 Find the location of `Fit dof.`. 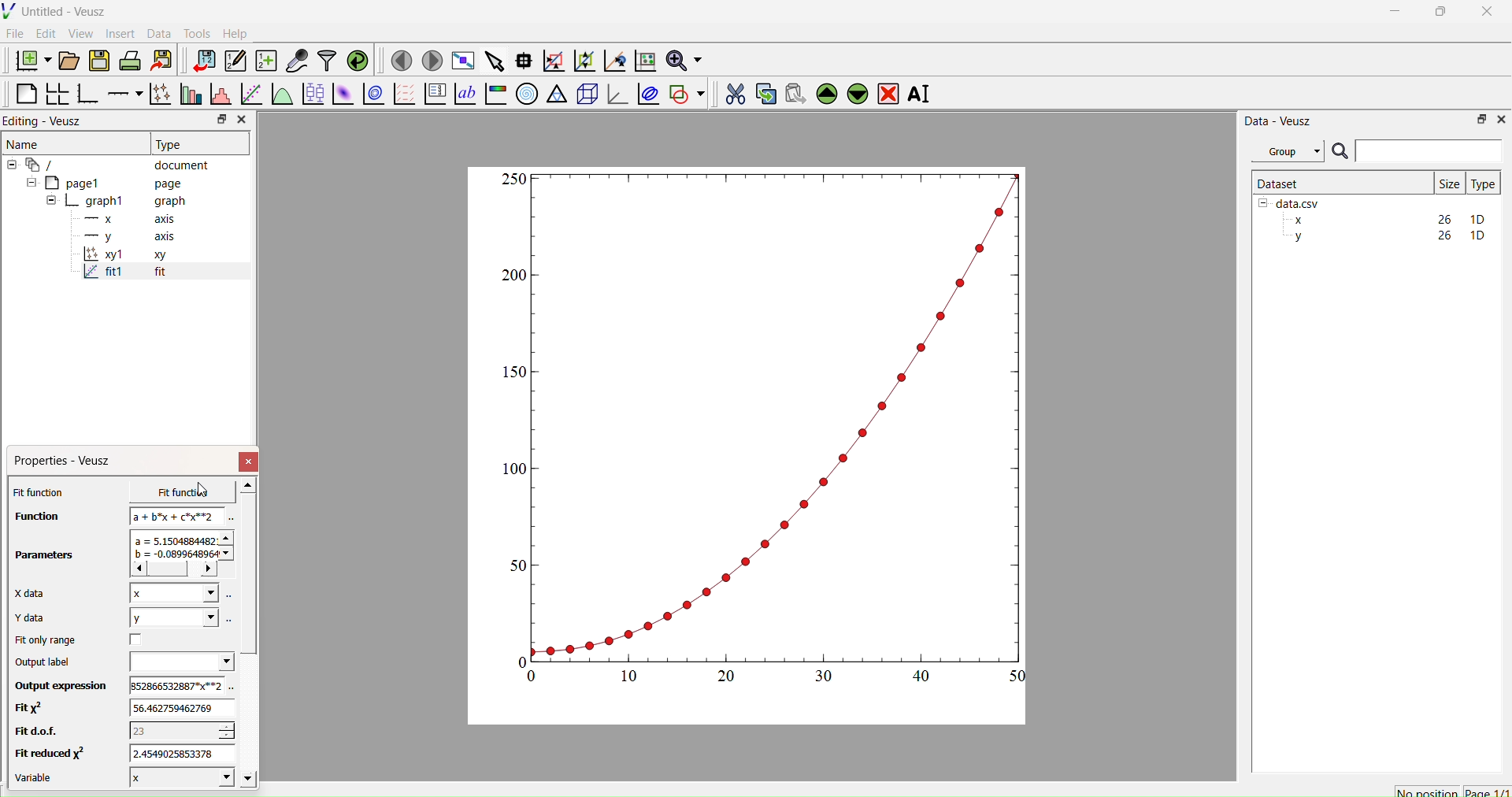

Fit dof. is located at coordinates (38, 732).